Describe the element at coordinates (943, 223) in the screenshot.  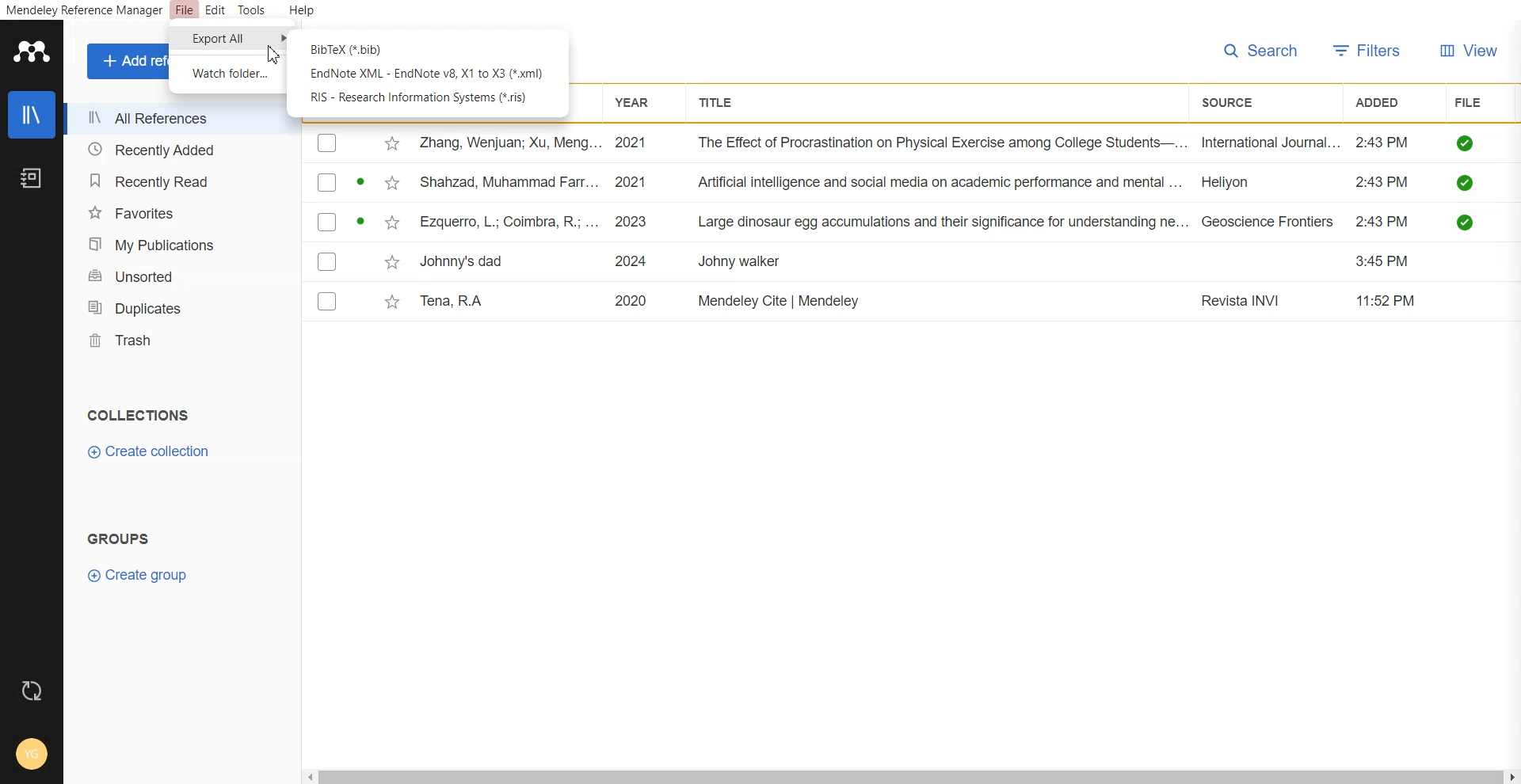
I see `Large dinosaur egg accumulations and their significance for understanding ne...` at that location.